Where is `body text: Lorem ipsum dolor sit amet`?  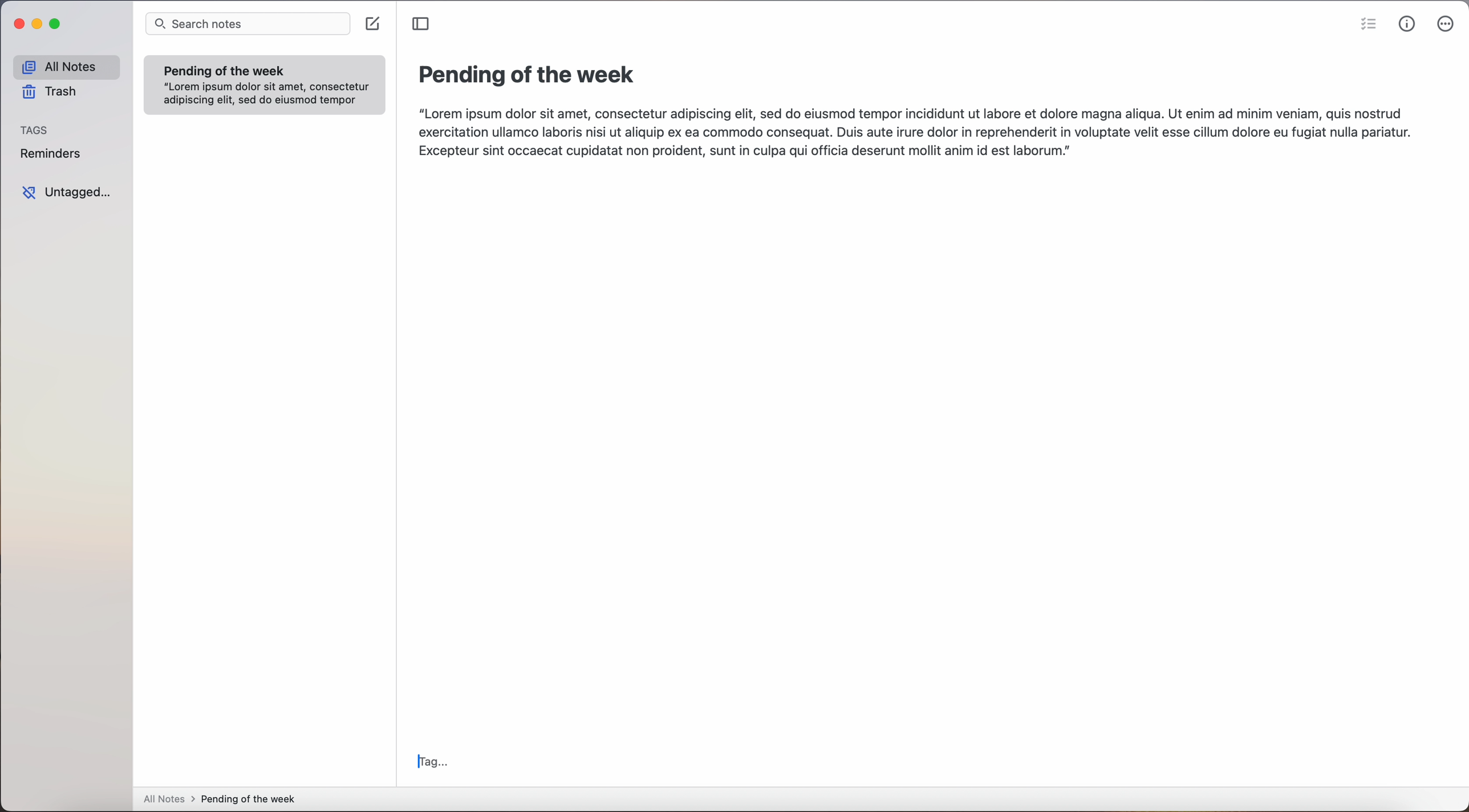
body text: Lorem ipsum dolor sit amet is located at coordinates (912, 132).